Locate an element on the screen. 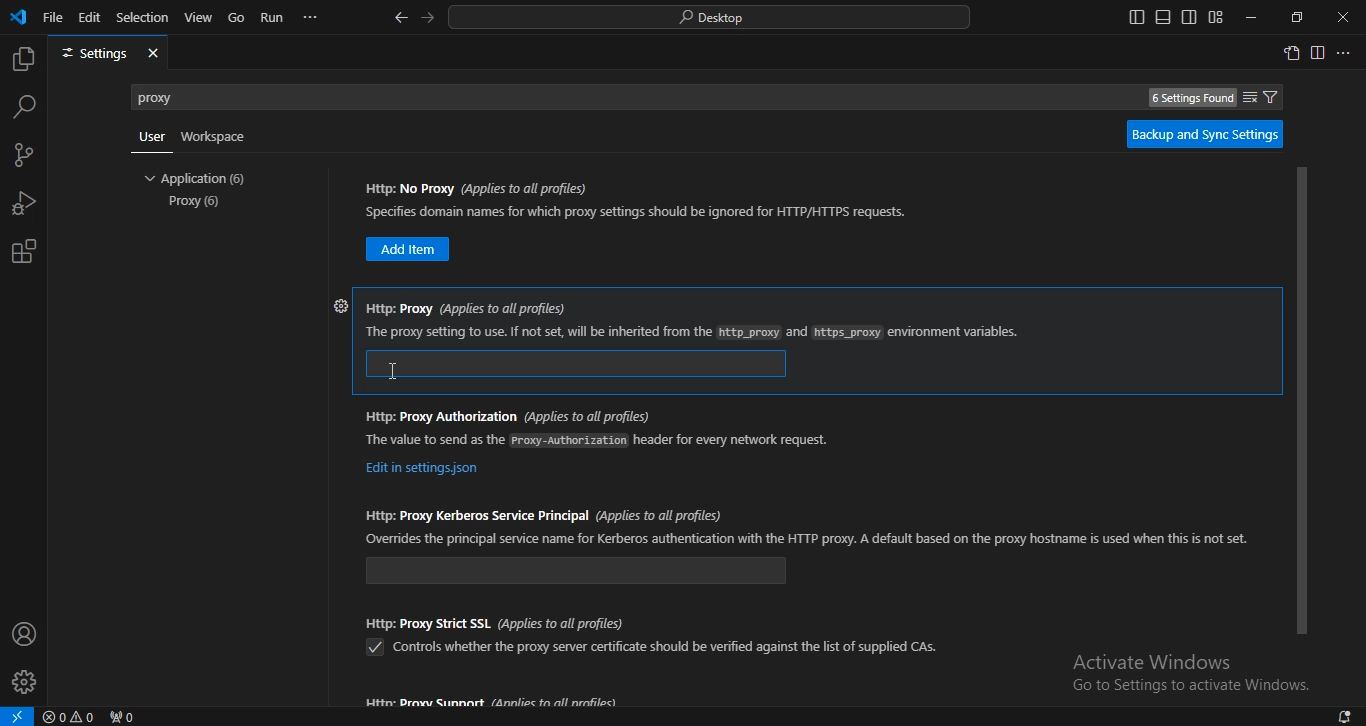 The width and height of the screenshot is (1366, 726). toggle secondary side bar is located at coordinates (1189, 17).